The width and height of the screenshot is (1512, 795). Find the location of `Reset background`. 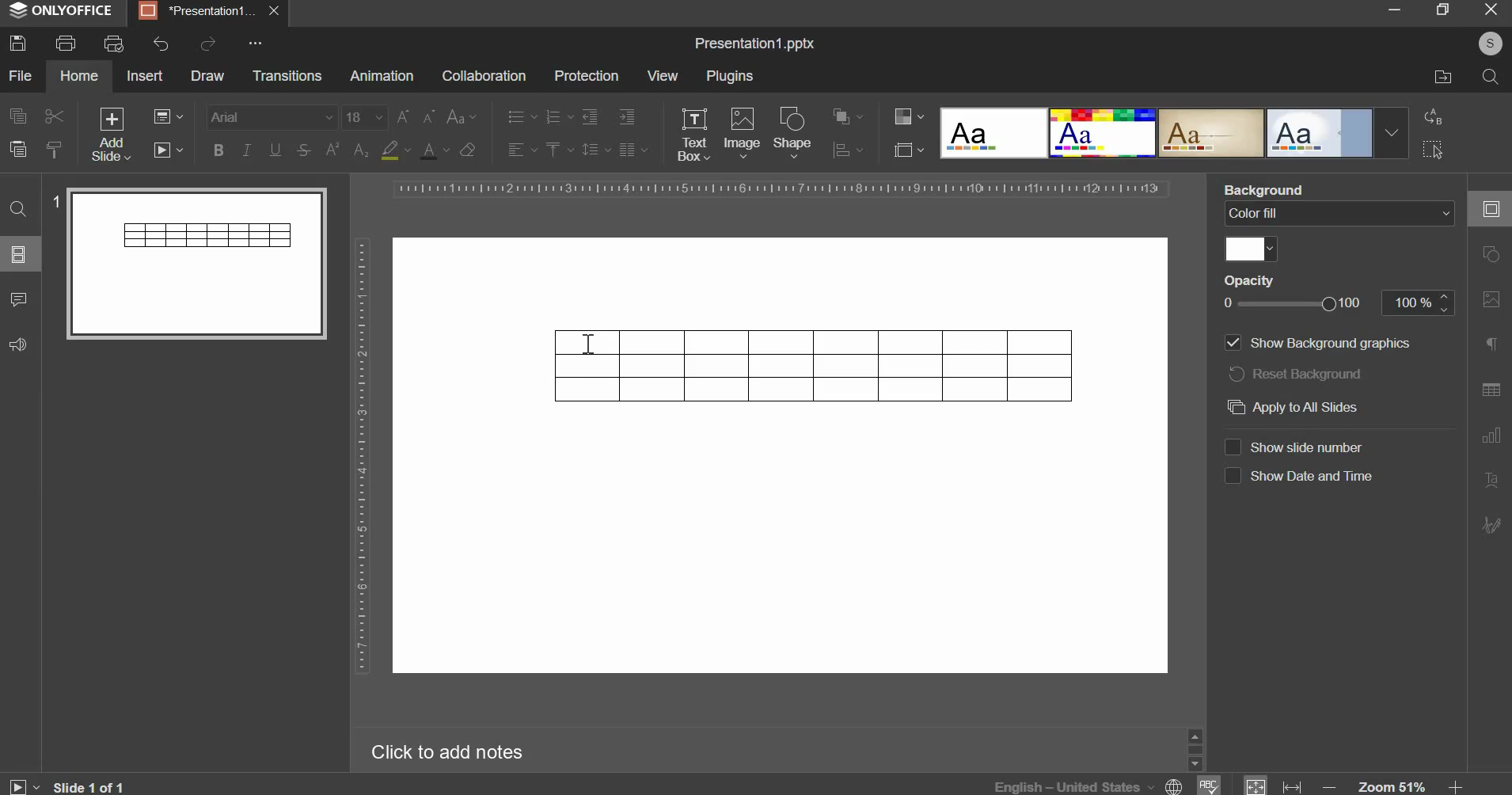

Reset background is located at coordinates (1309, 375).